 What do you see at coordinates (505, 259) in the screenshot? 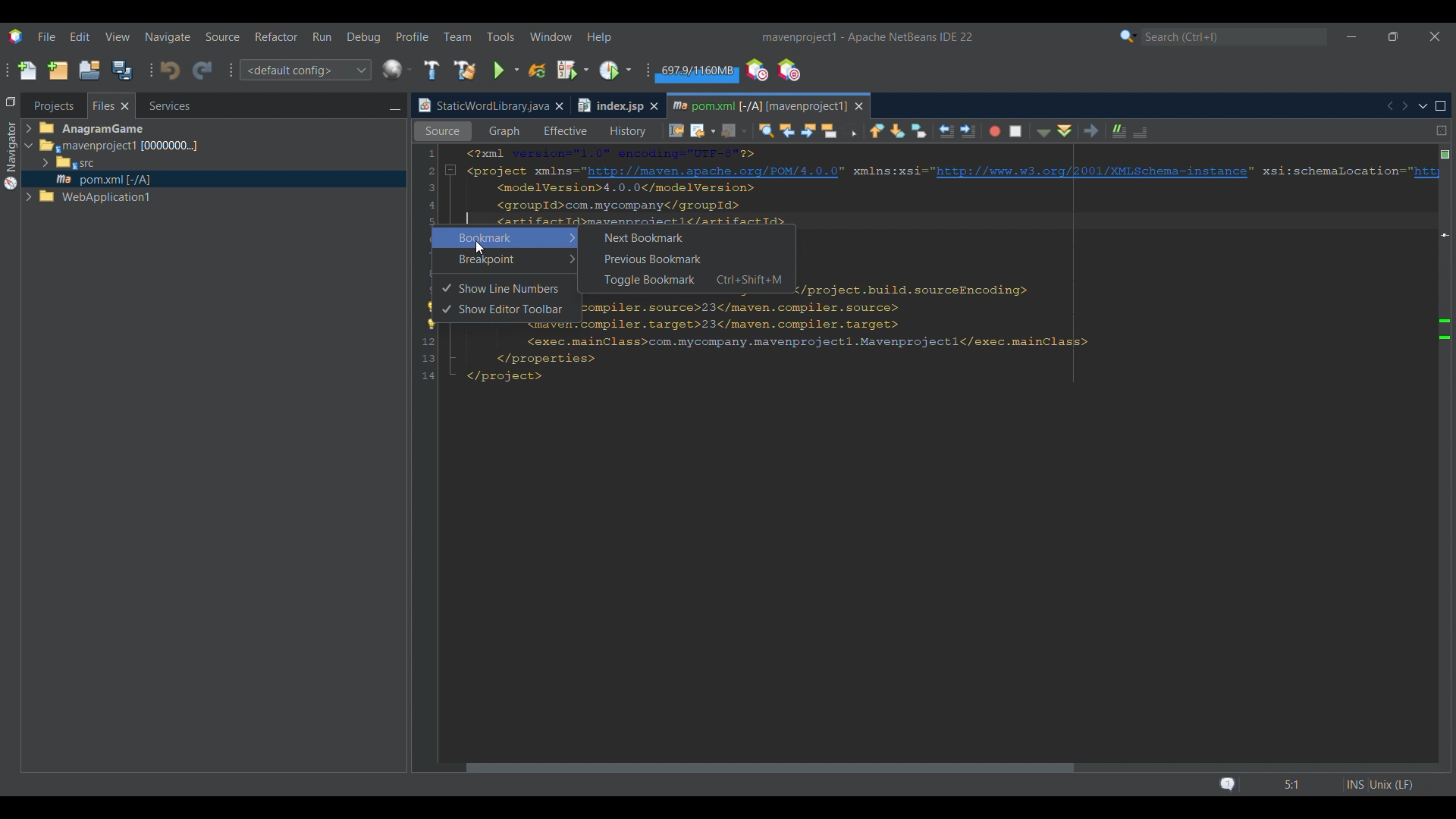
I see `Breakpoint options` at bounding box center [505, 259].